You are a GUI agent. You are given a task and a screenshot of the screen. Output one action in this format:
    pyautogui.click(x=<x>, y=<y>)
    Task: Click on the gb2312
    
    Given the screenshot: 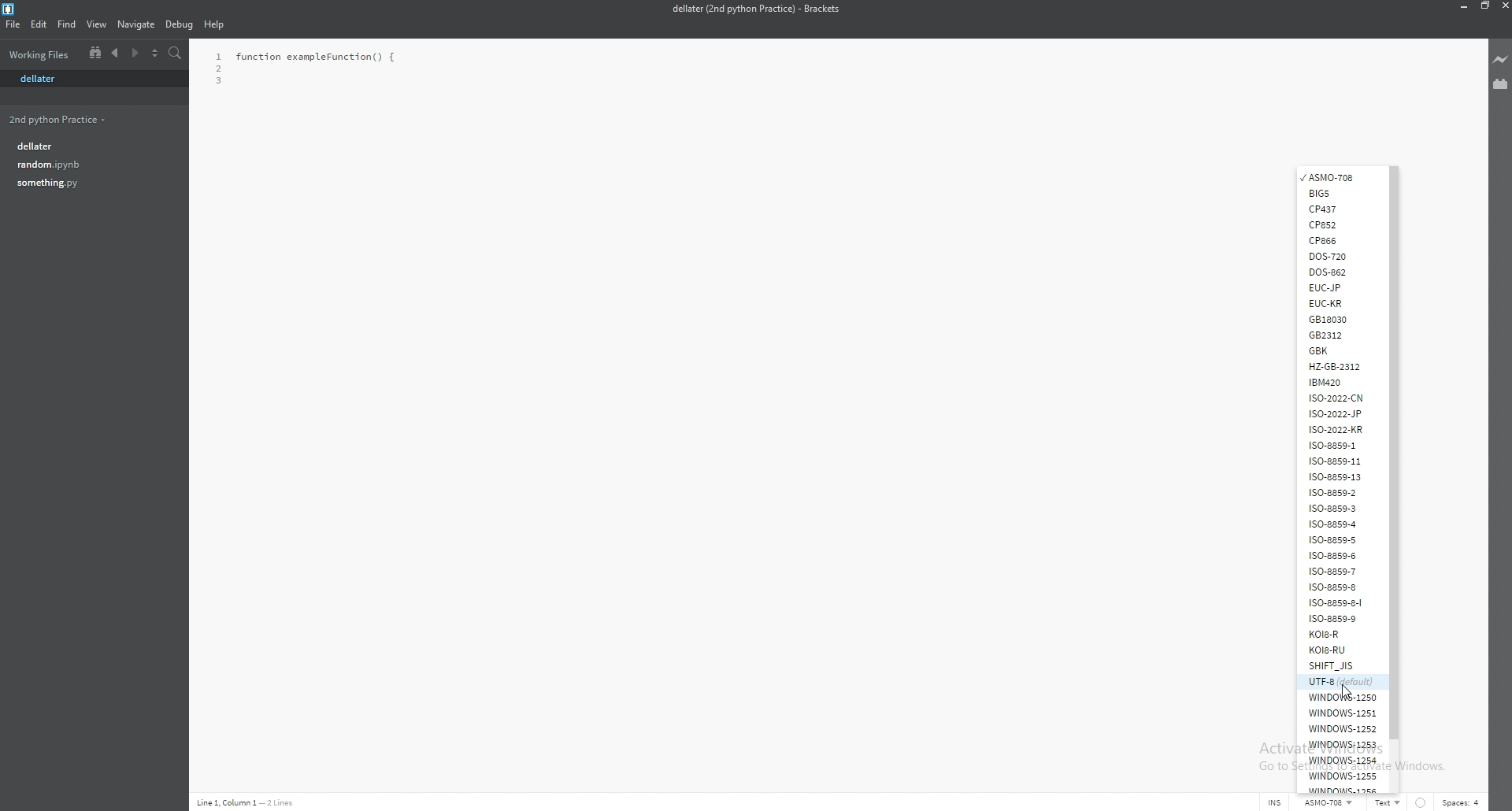 What is the action you would take?
    pyautogui.click(x=1340, y=335)
    